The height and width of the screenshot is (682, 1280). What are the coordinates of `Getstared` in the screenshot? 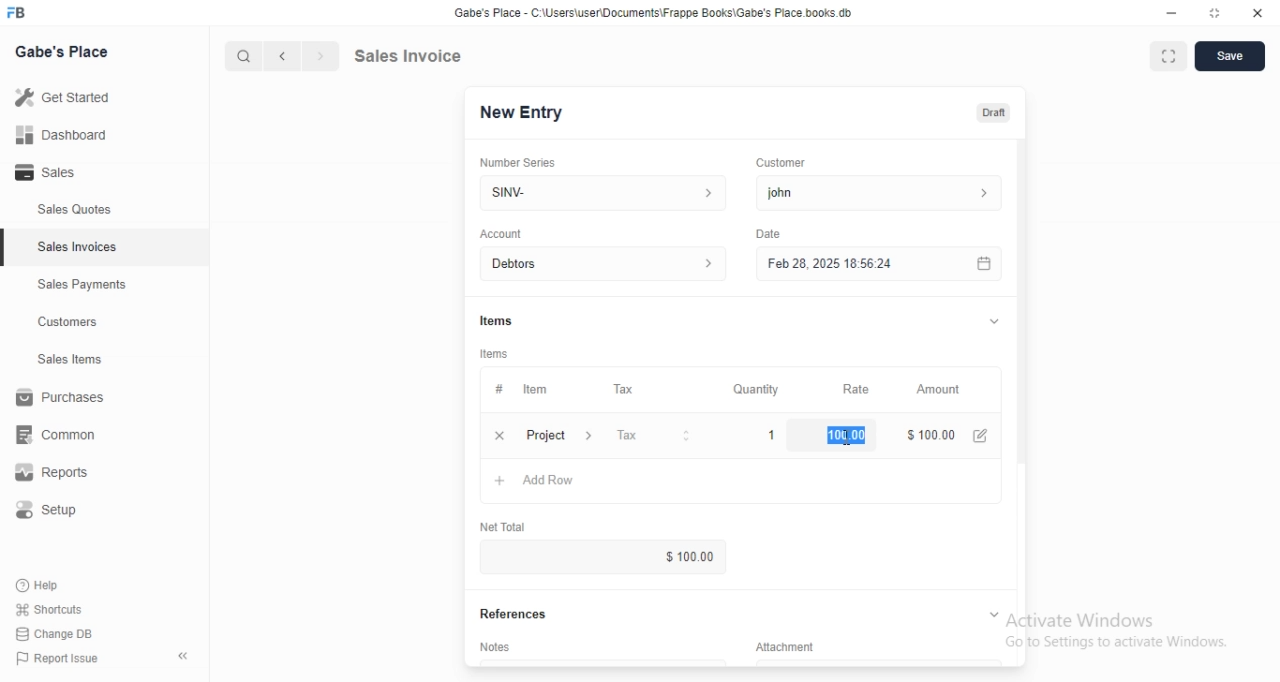 It's located at (68, 99).